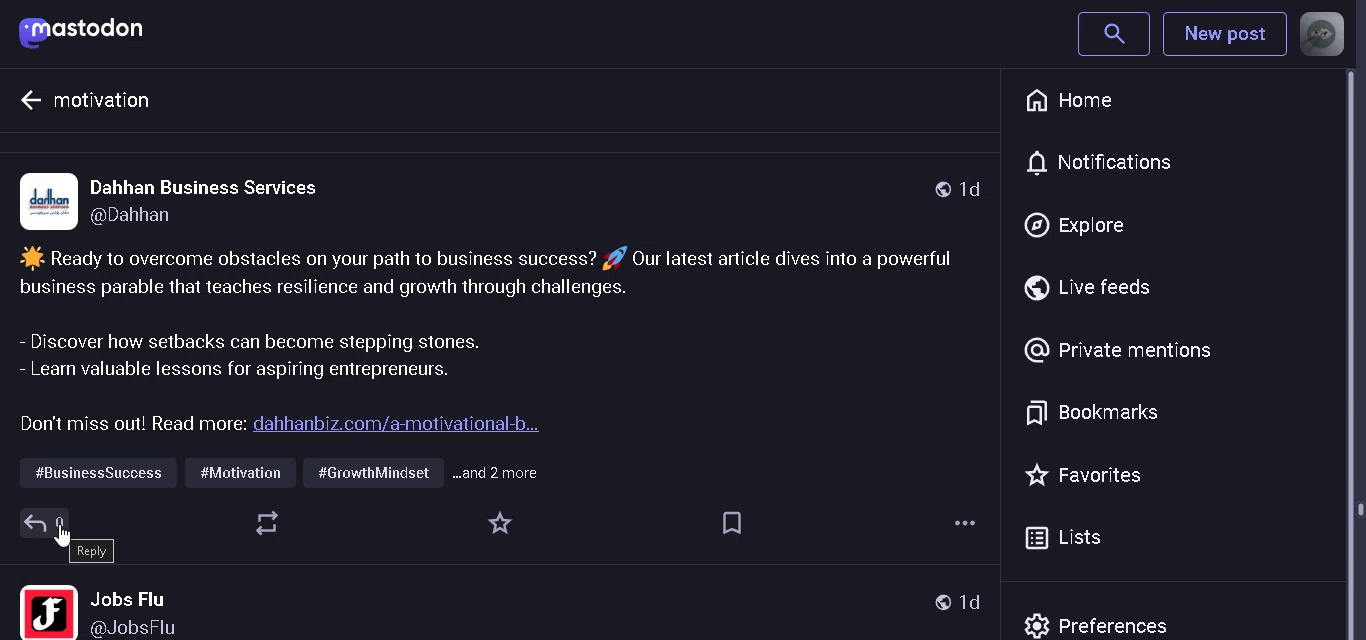  Describe the element at coordinates (92, 551) in the screenshot. I see `reply` at that location.